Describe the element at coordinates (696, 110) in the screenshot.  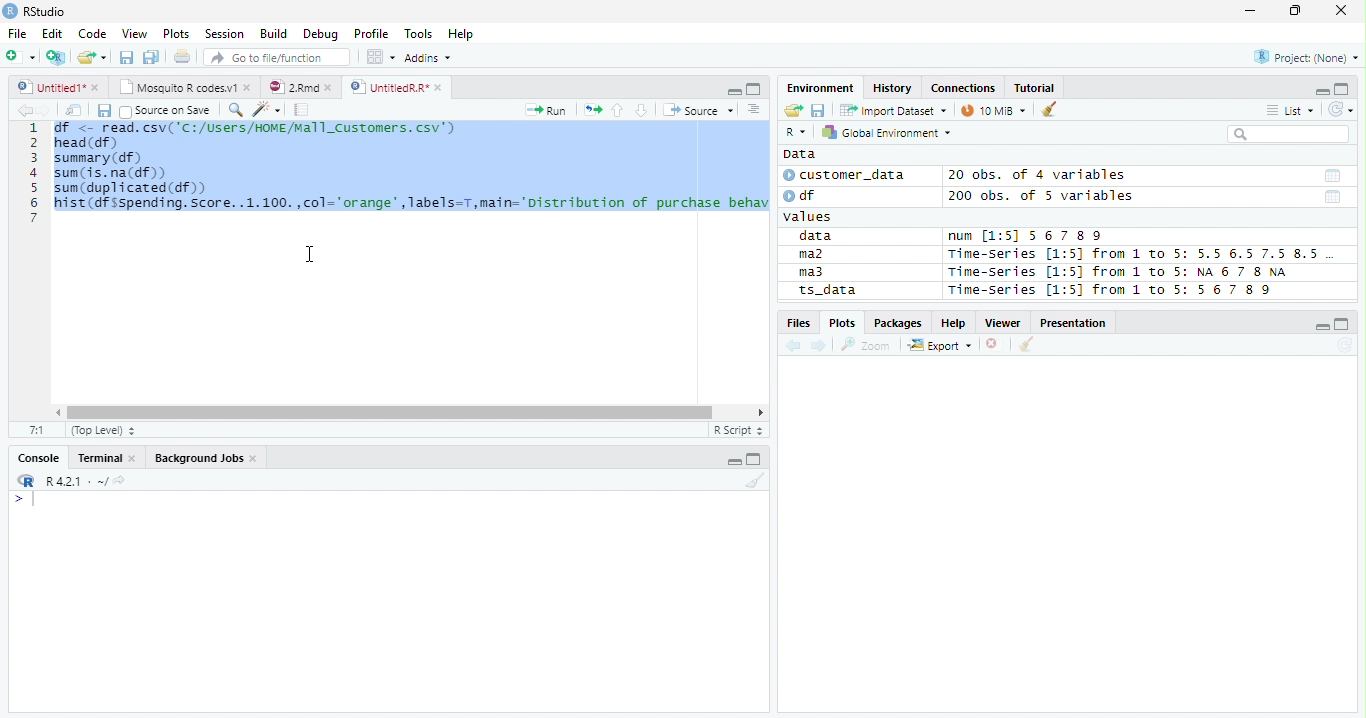
I see `Source` at that location.